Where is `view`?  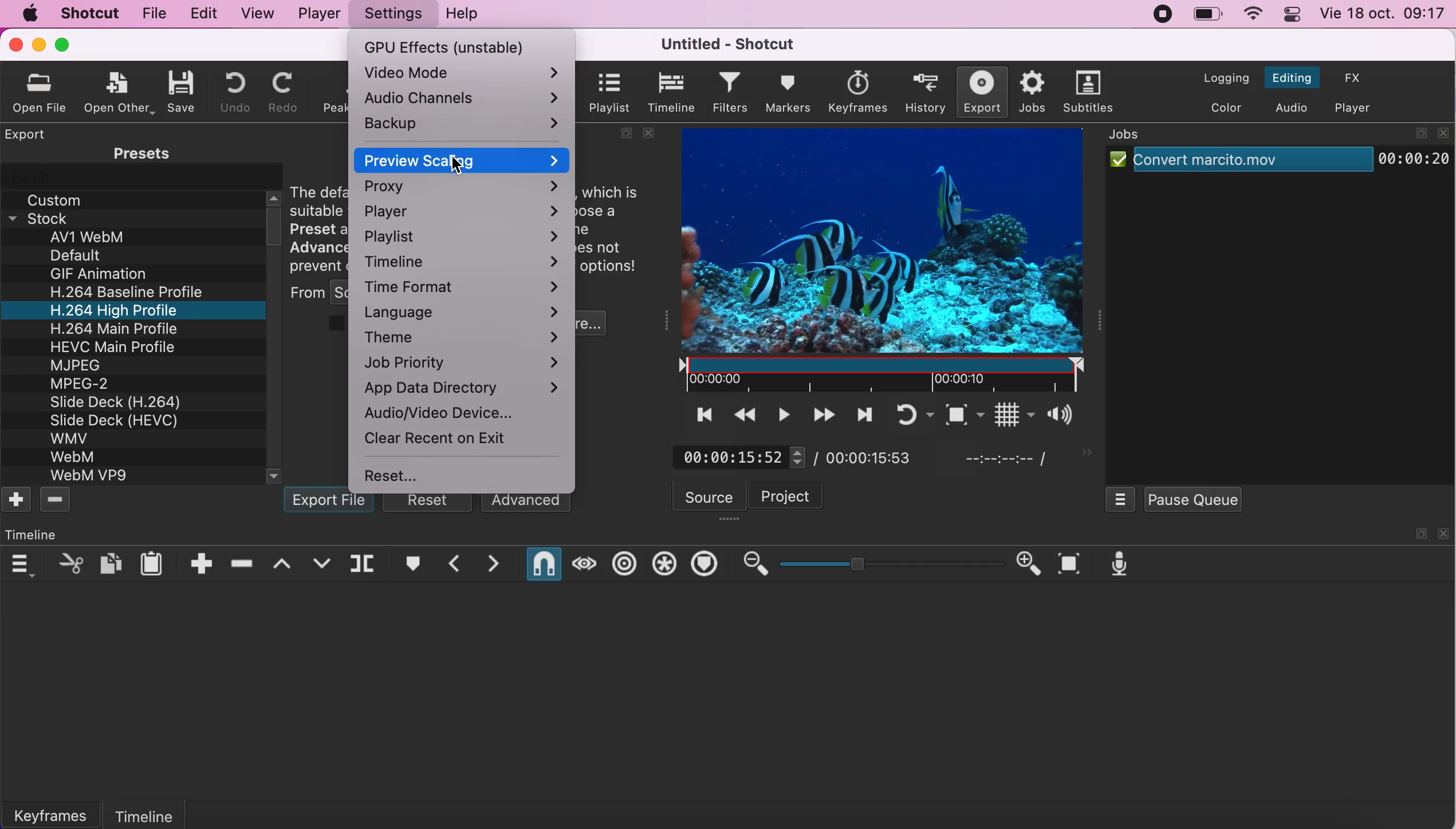 view is located at coordinates (255, 13).